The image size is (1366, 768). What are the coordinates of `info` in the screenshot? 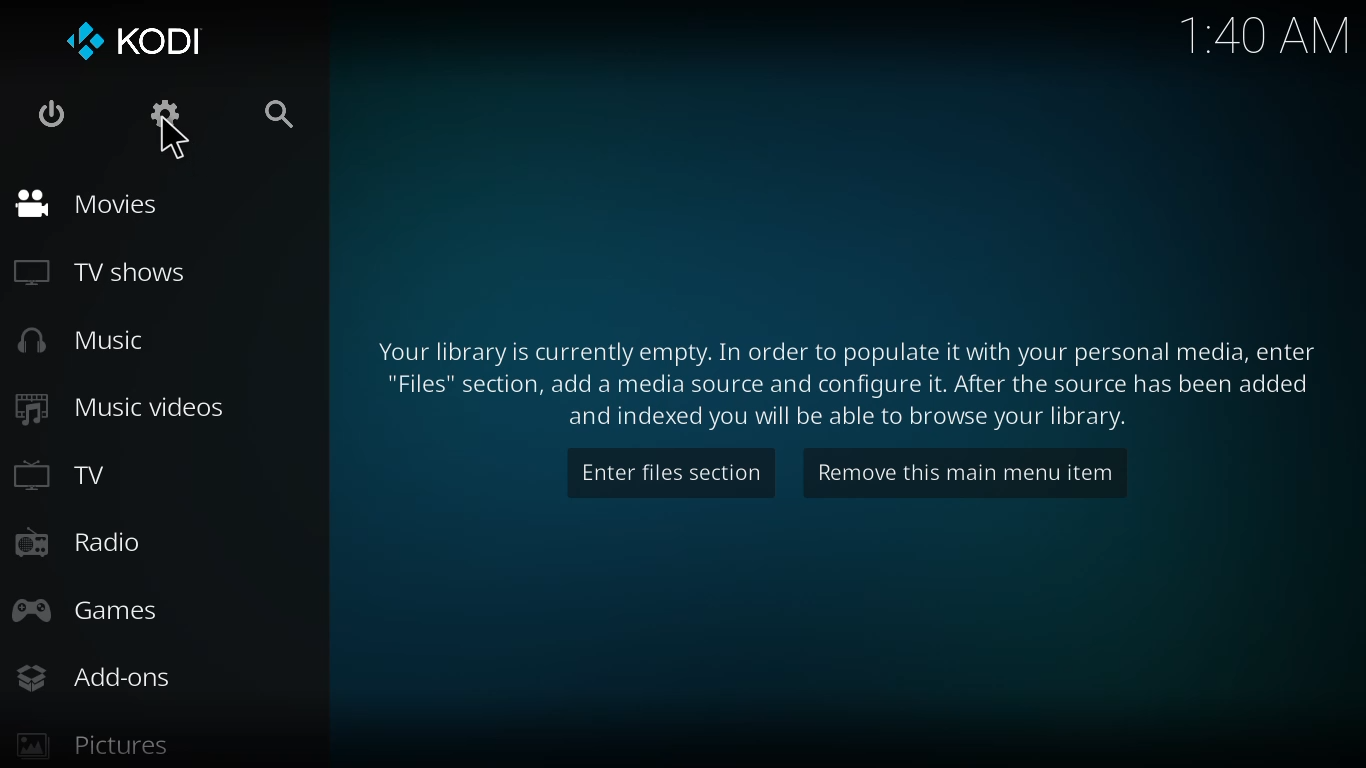 It's located at (848, 384).